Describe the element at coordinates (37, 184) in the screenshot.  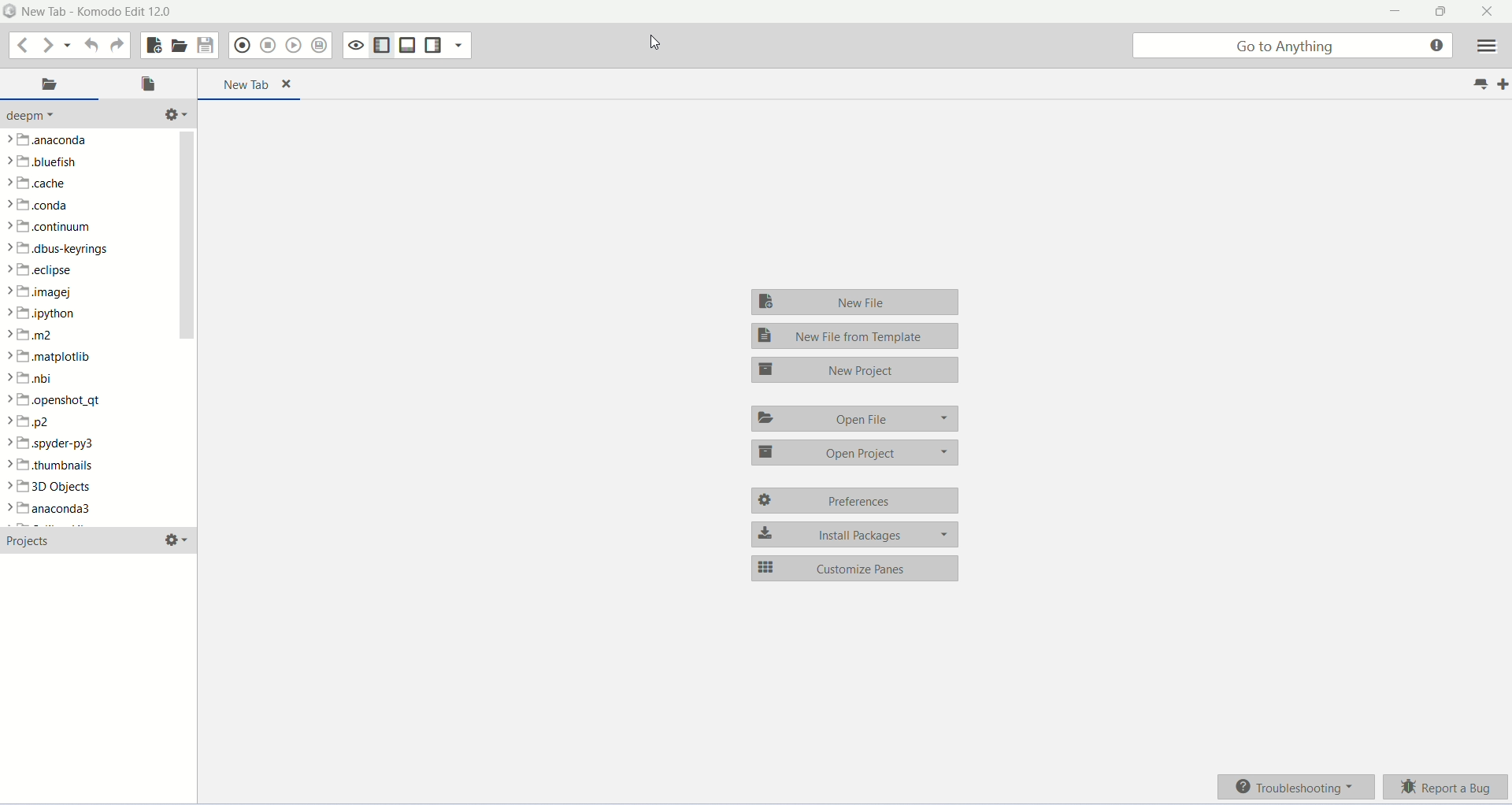
I see `cache` at that location.